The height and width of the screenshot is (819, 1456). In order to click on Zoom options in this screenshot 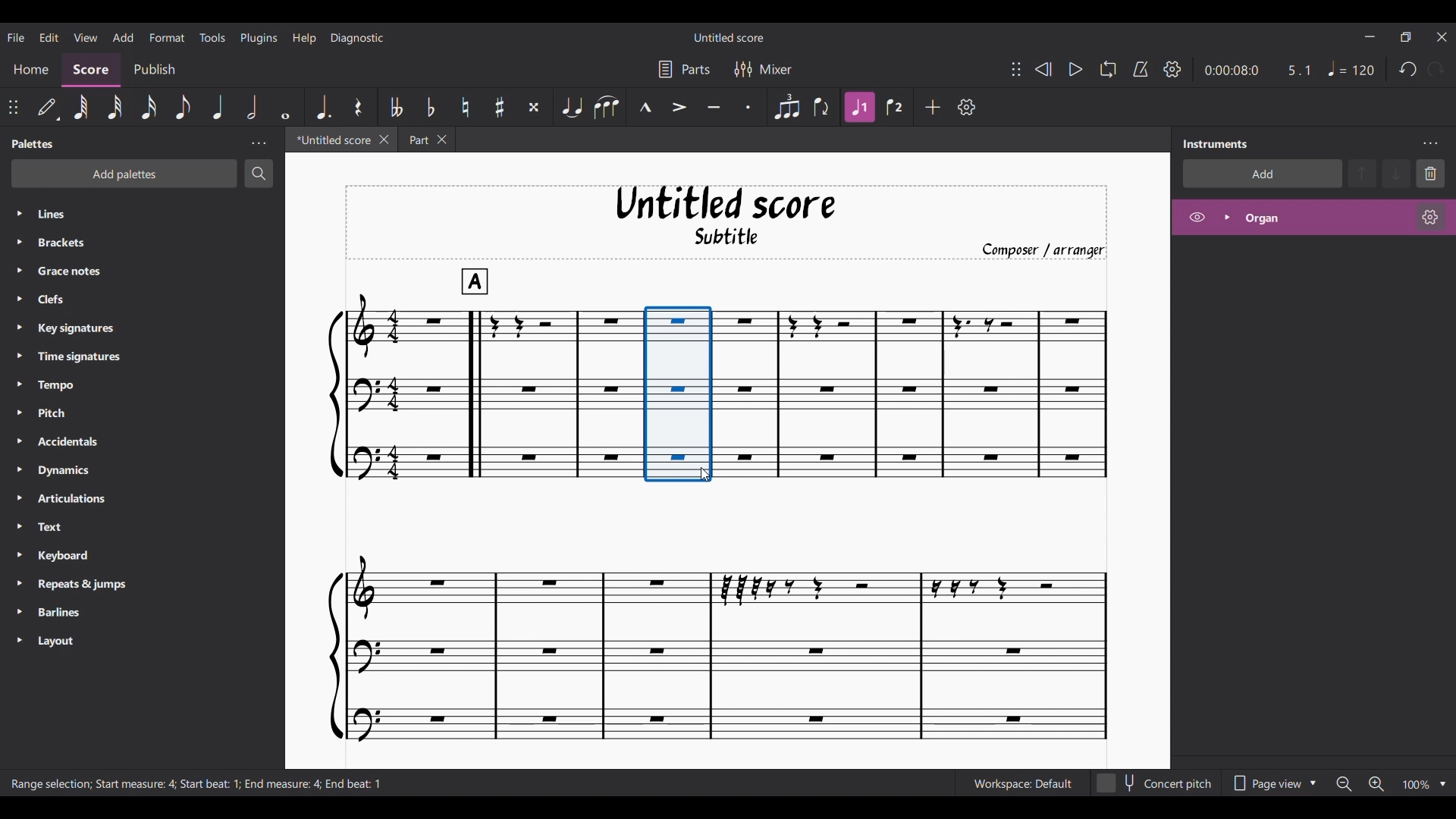, I will do `click(1443, 784)`.